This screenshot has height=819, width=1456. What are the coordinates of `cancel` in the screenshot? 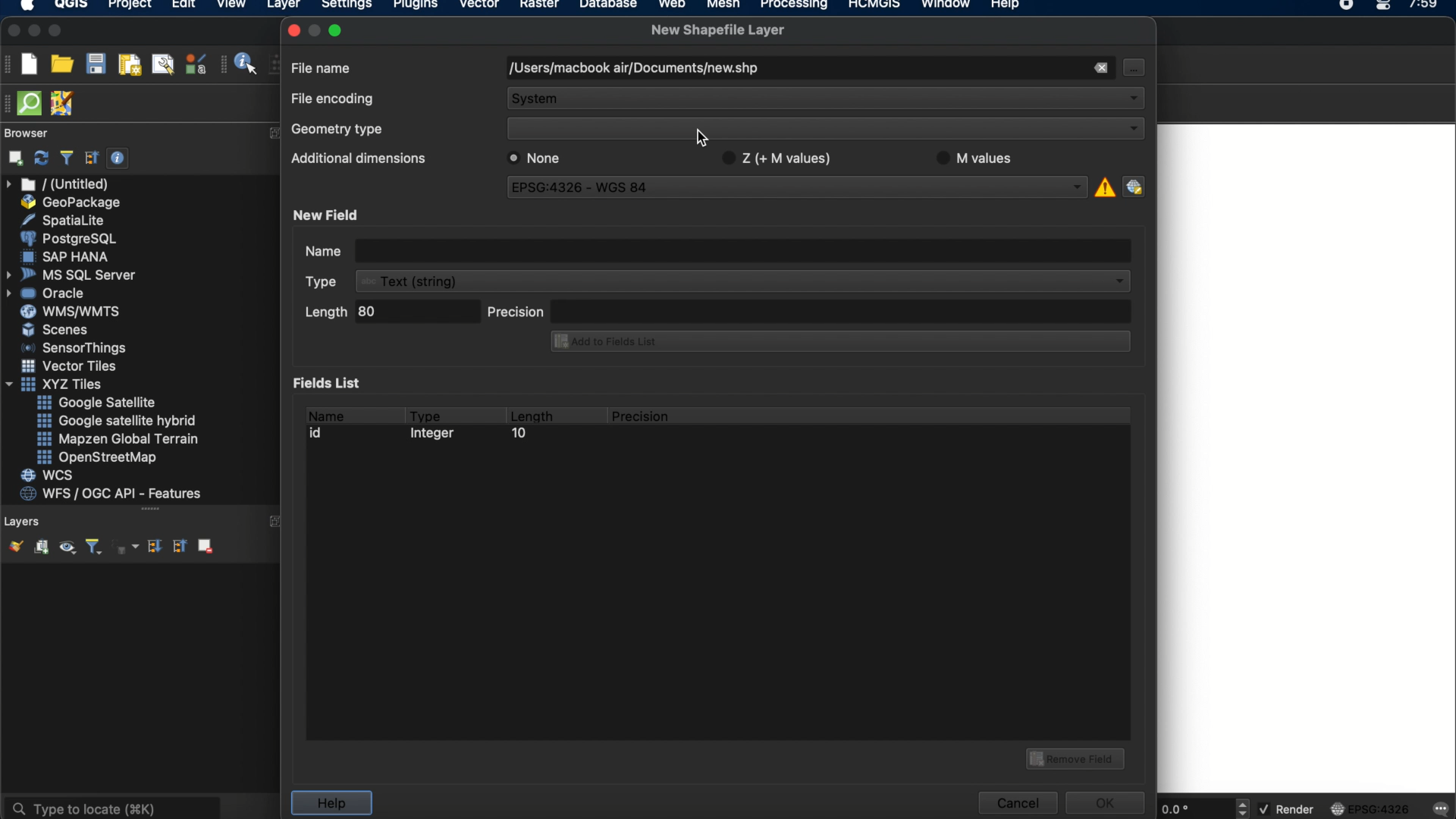 It's located at (1016, 803).